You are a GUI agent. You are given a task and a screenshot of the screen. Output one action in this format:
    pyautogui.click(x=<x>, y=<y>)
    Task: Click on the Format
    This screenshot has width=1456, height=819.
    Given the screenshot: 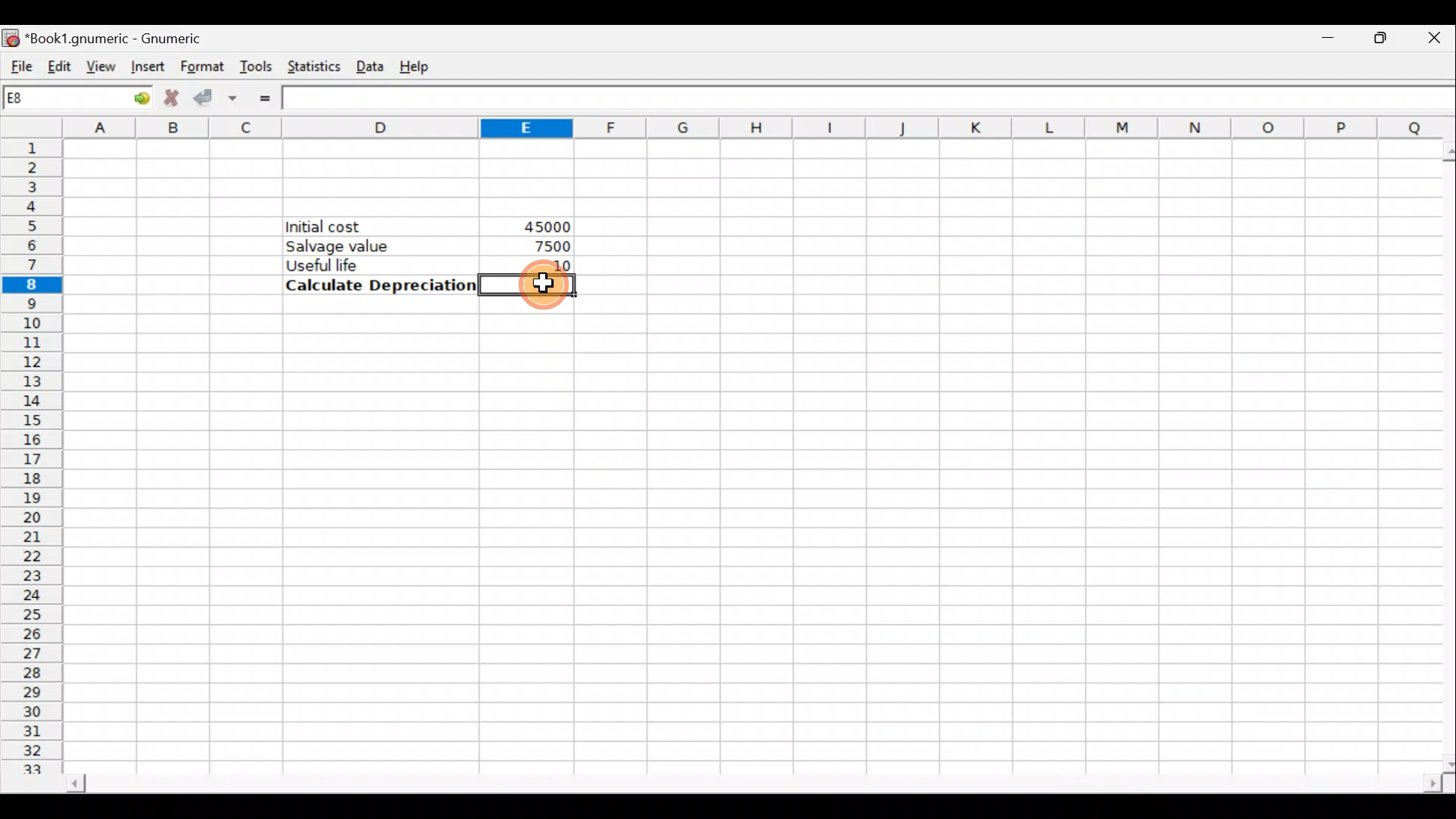 What is the action you would take?
    pyautogui.click(x=200, y=64)
    